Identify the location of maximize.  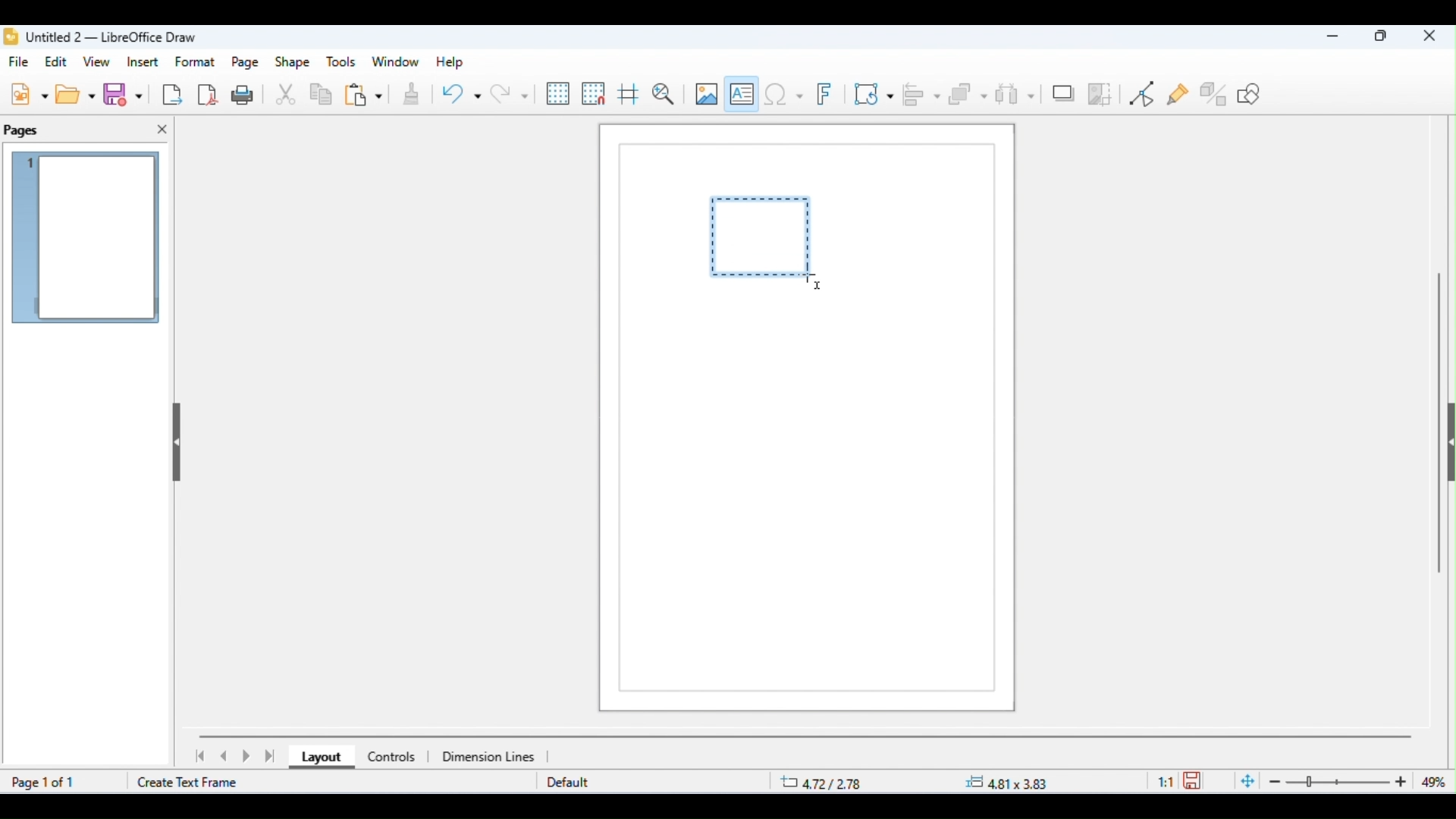
(1382, 38).